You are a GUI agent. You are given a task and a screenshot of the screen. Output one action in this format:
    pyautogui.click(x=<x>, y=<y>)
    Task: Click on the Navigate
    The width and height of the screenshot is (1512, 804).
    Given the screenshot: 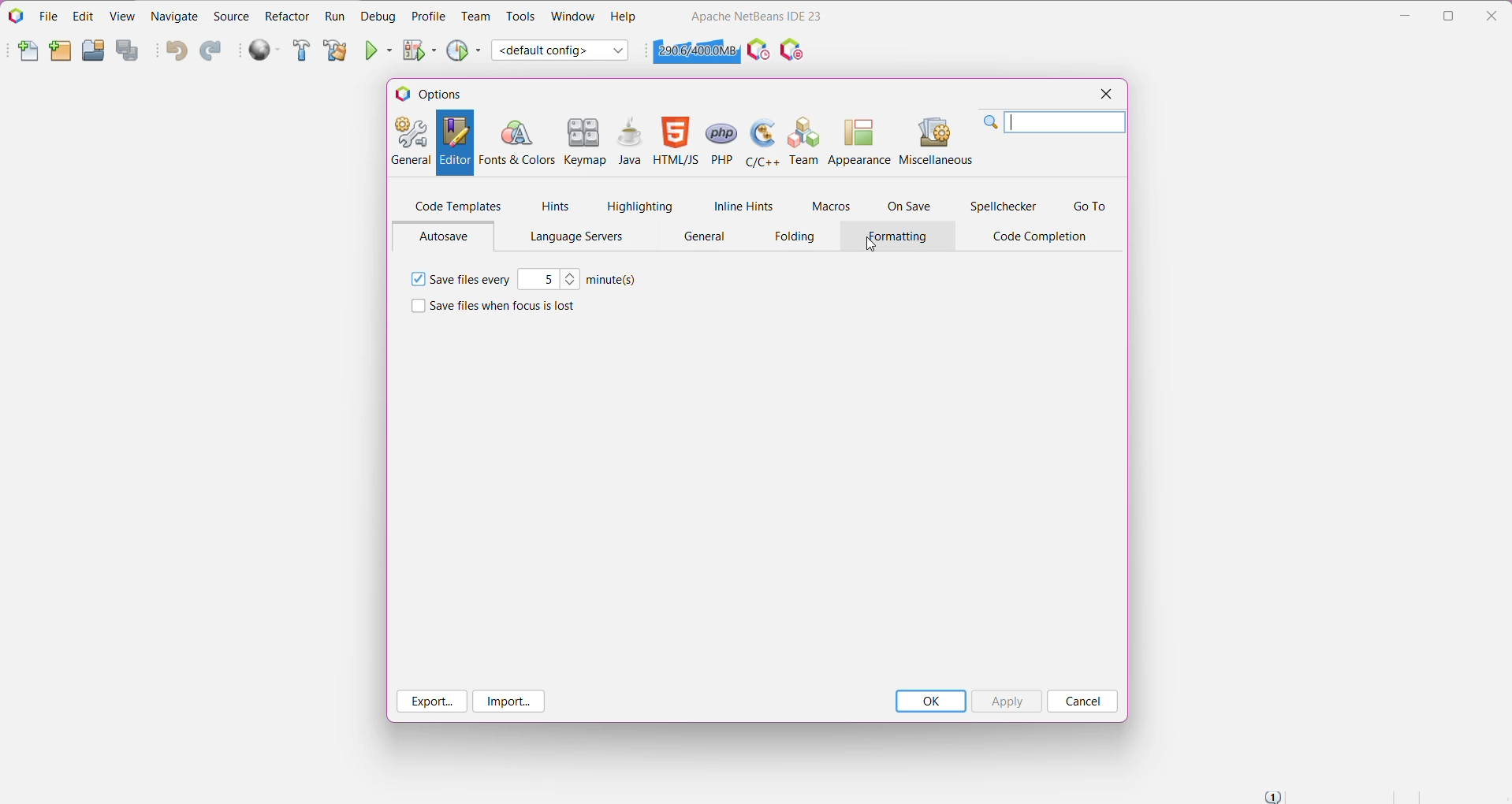 What is the action you would take?
    pyautogui.click(x=177, y=15)
    